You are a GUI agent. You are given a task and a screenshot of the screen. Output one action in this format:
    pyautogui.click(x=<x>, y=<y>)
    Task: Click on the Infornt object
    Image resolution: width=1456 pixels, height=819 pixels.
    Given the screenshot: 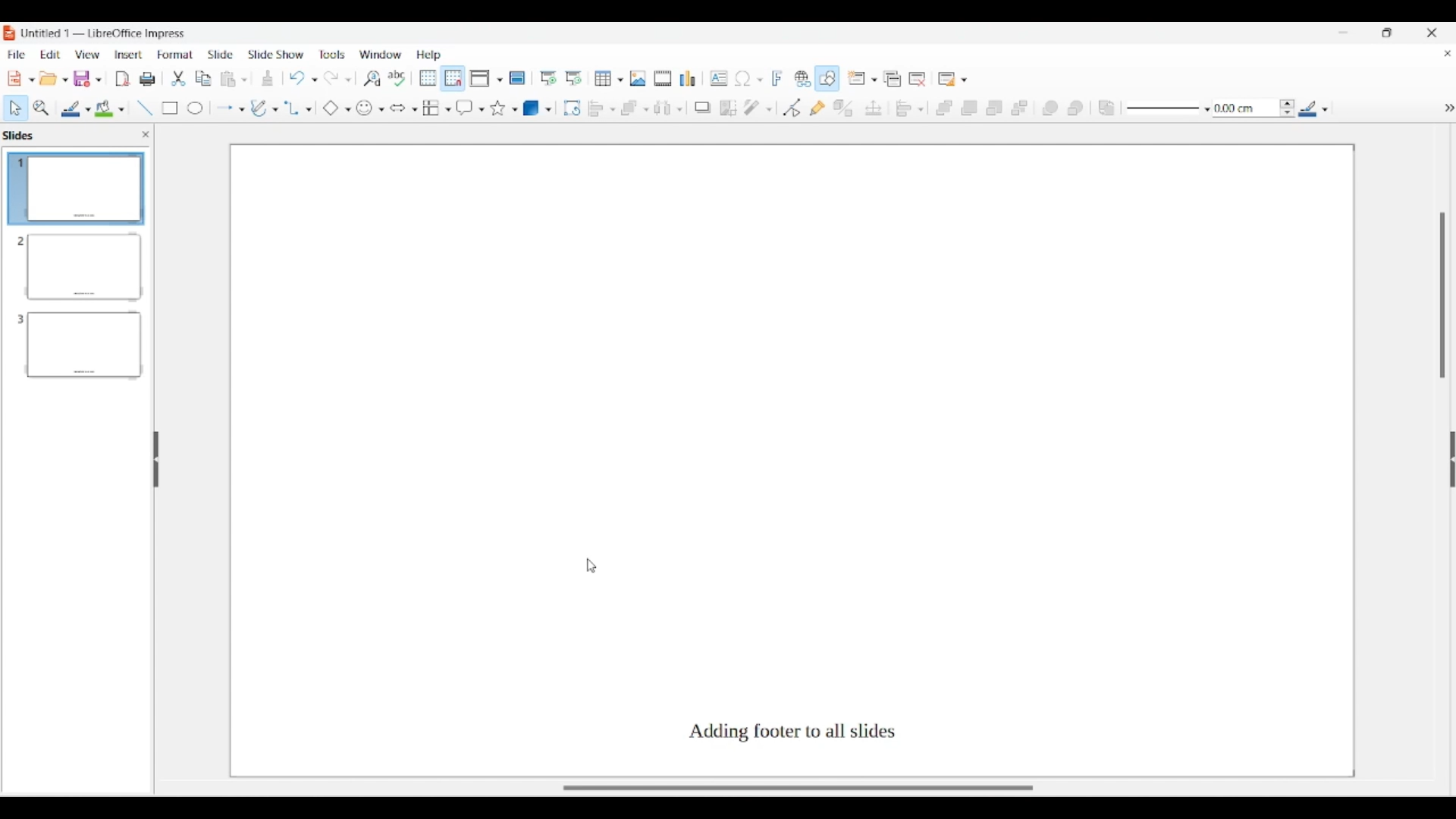 What is the action you would take?
    pyautogui.click(x=1050, y=108)
    